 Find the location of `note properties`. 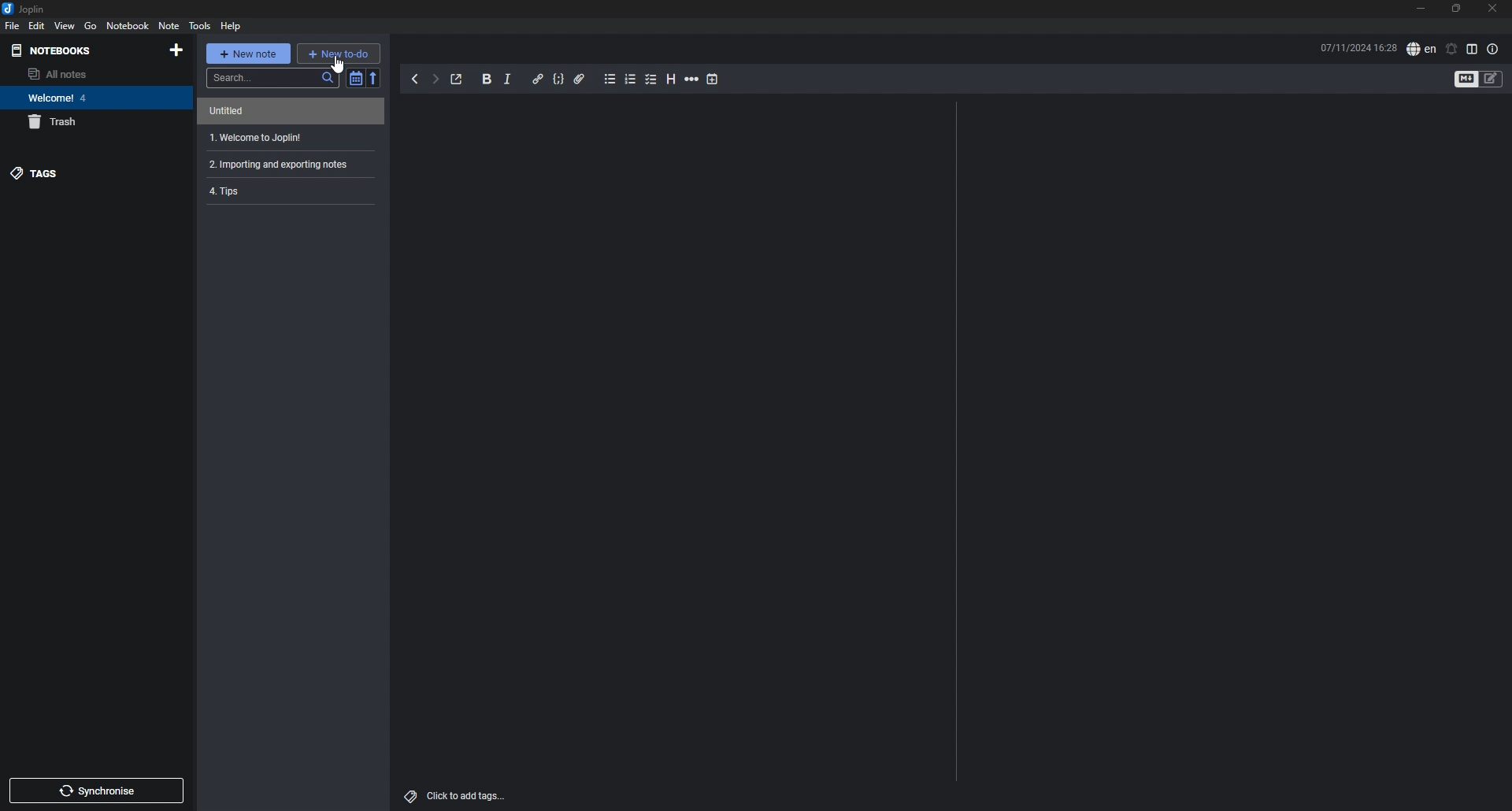

note properties is located at coordinates (1494, 50).